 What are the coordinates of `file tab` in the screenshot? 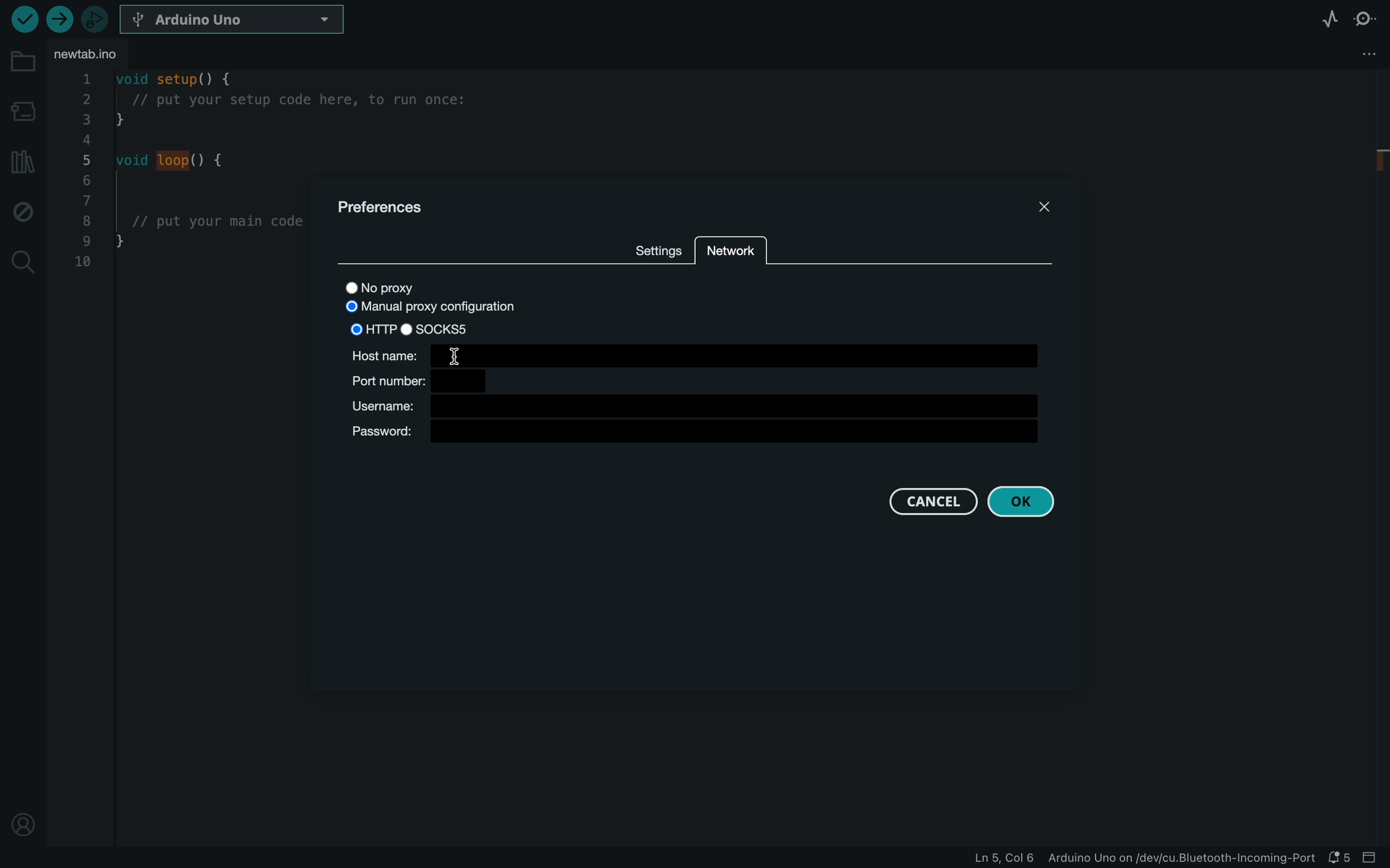 It's located at (98, 55).